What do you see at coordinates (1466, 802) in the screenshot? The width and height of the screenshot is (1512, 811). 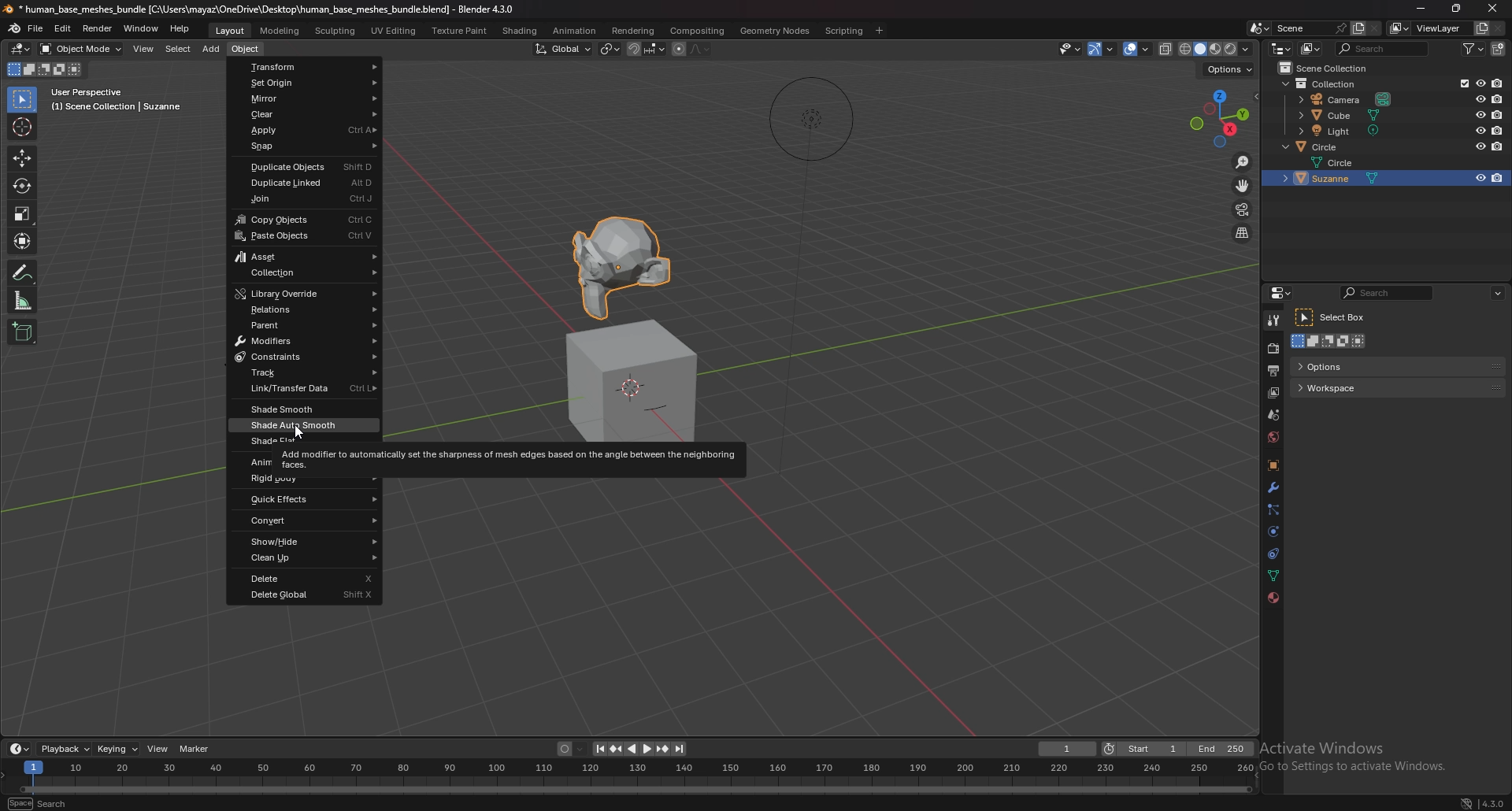 I see `network` at bounding box center [1466, 802].